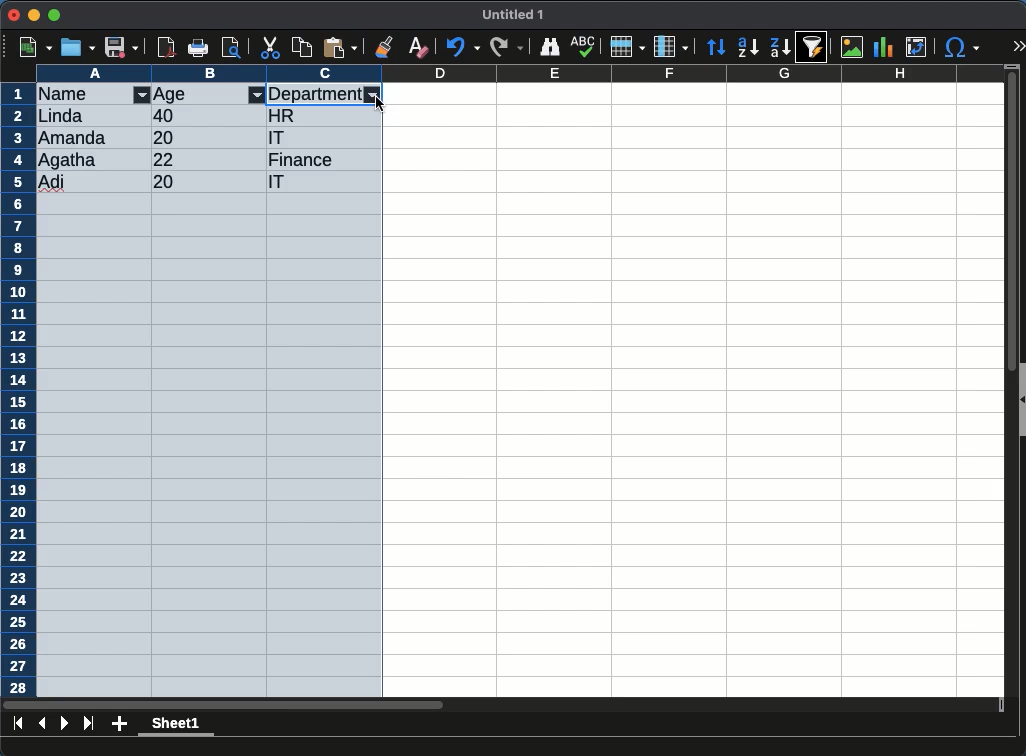  What do you see at coordinates (816, 47) in the screenshot?
I see `sort` at bounding box center [816, 47].